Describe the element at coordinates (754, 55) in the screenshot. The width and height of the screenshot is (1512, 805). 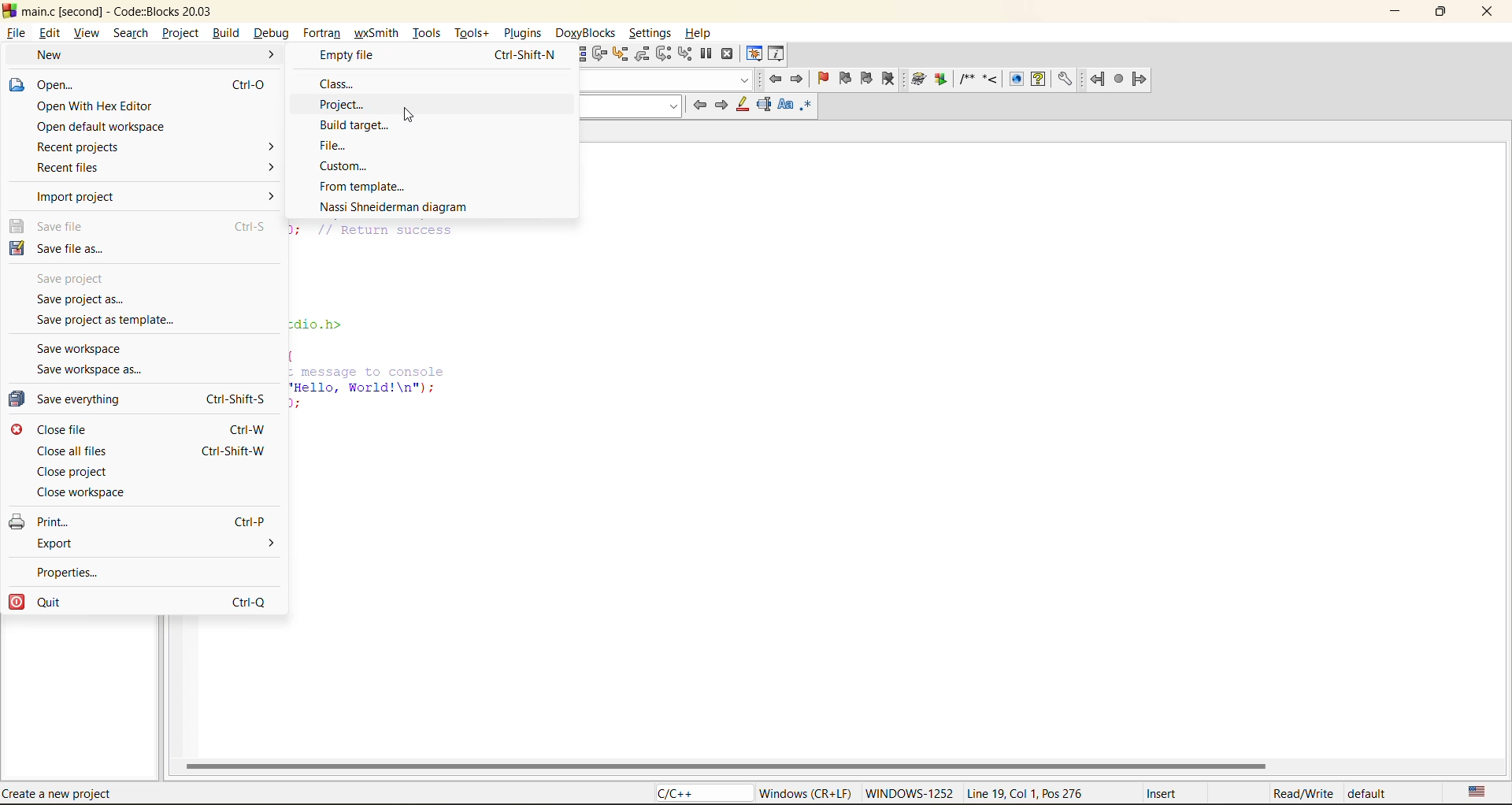
I see `debugging windows` at that location.